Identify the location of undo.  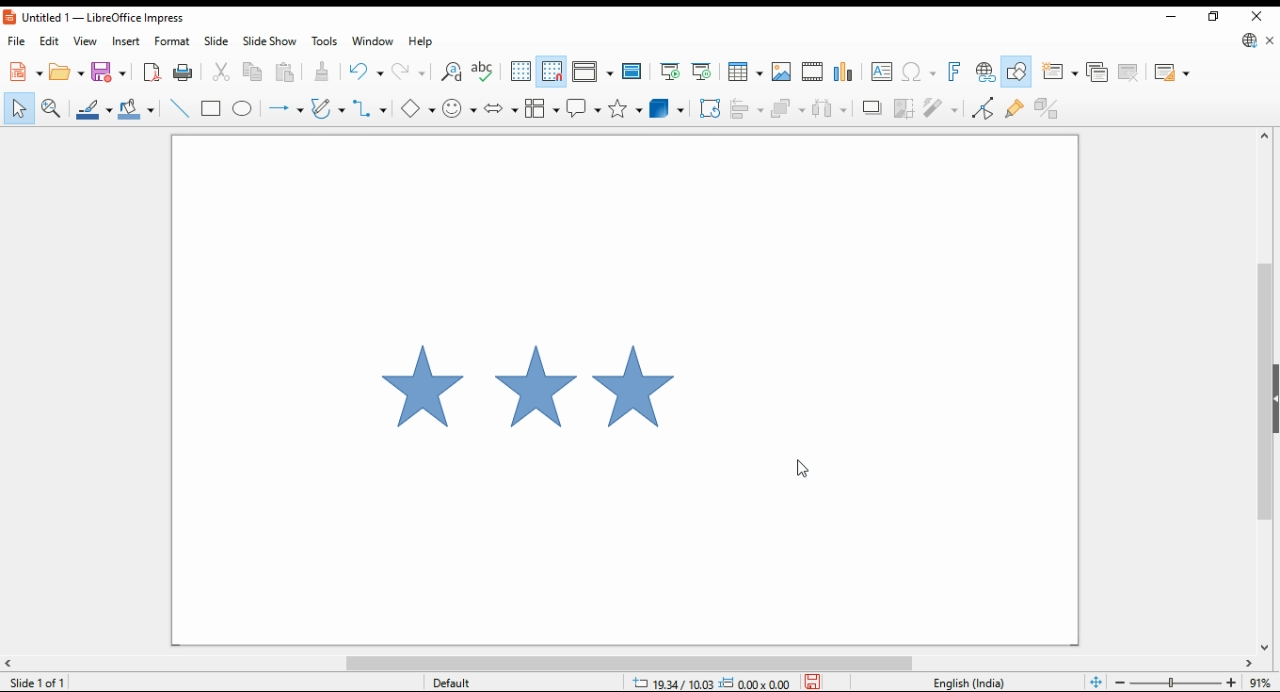
(367, 70).